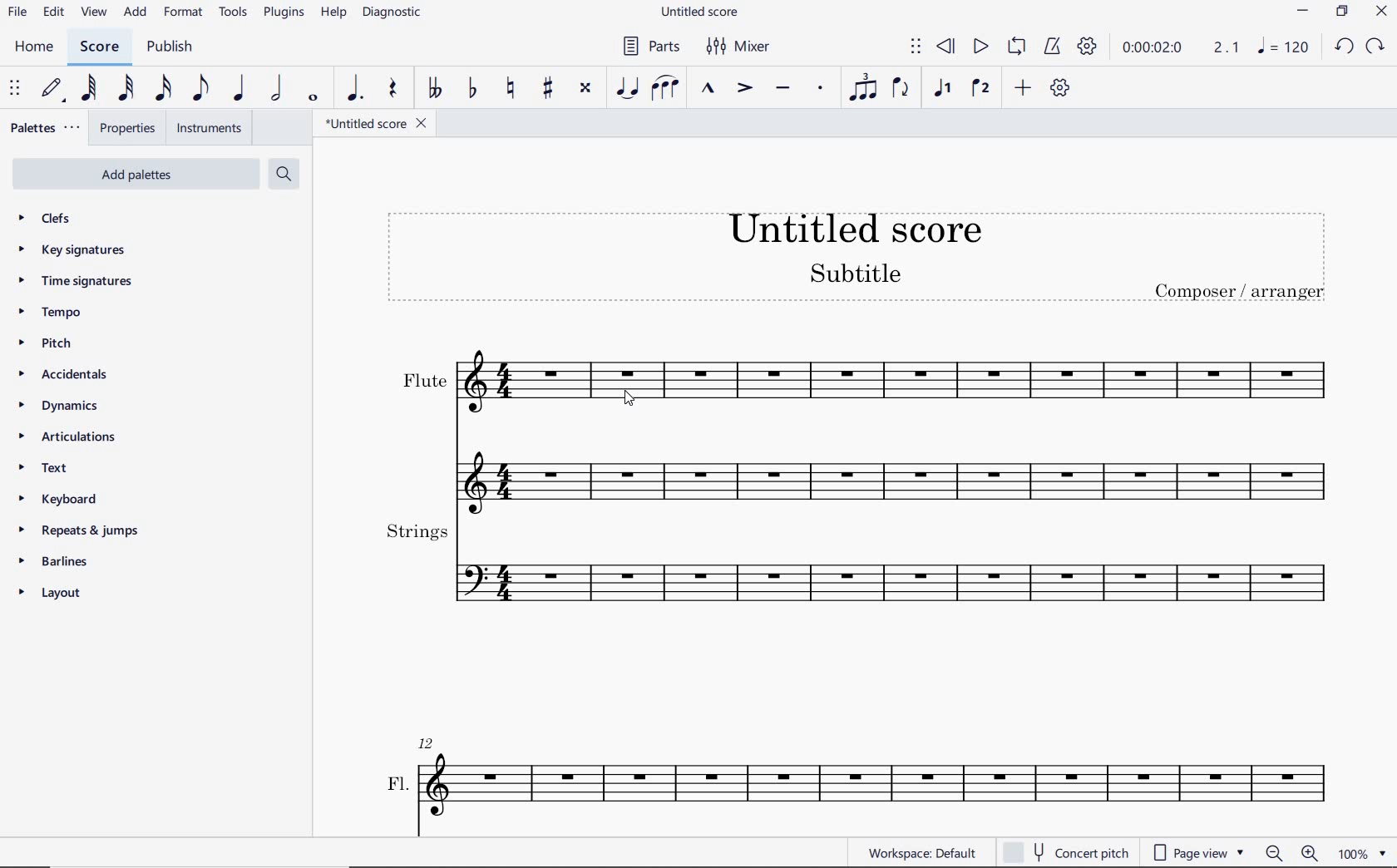 The width and height of the screenshot is (1397, 868). Describe the element at coordinates (72, 281) in the screenshot. I see `time signatures` at that location.